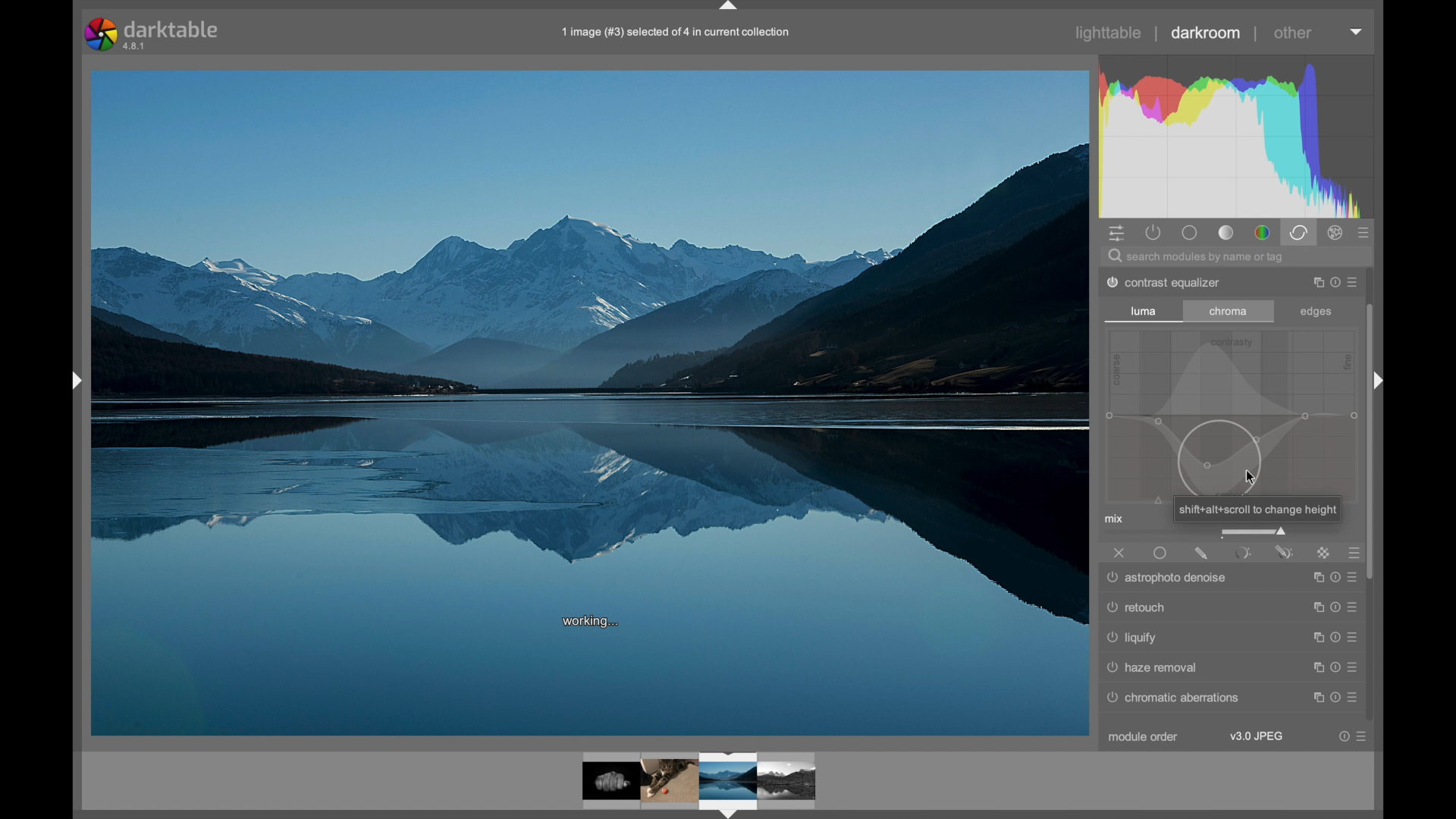 Image resolution: width=1456 pixels, height=819 pixels. I want to click on more options, so click(1331, 700).